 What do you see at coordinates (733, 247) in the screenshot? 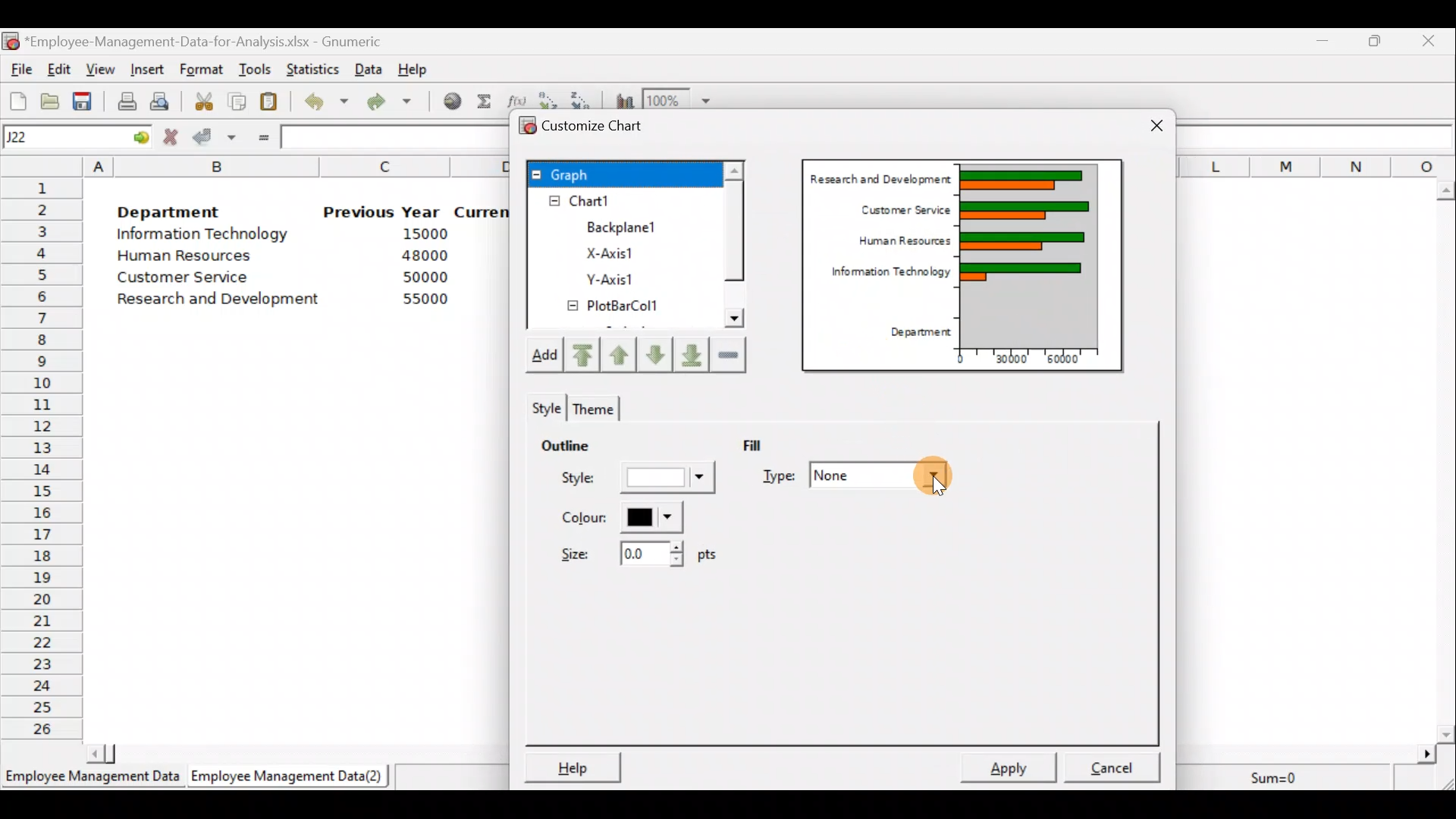
I see `Scroll bar` at bounding box center [733, 247].